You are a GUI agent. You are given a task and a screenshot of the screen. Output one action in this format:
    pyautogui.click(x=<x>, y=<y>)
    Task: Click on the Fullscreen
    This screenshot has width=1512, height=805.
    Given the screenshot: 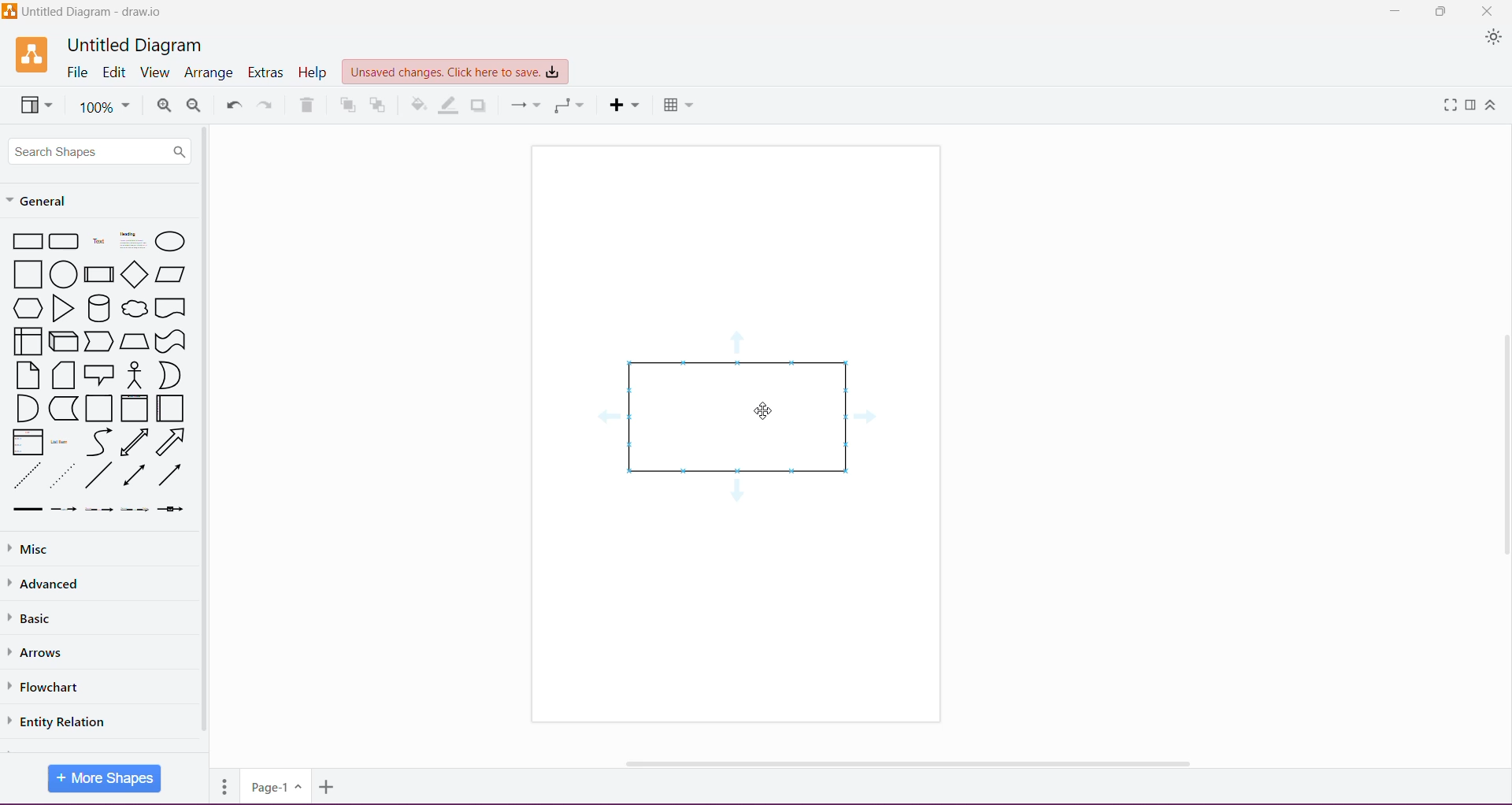 What is the action you would take?
    pyautogui.click(x=1451, y=106)
    